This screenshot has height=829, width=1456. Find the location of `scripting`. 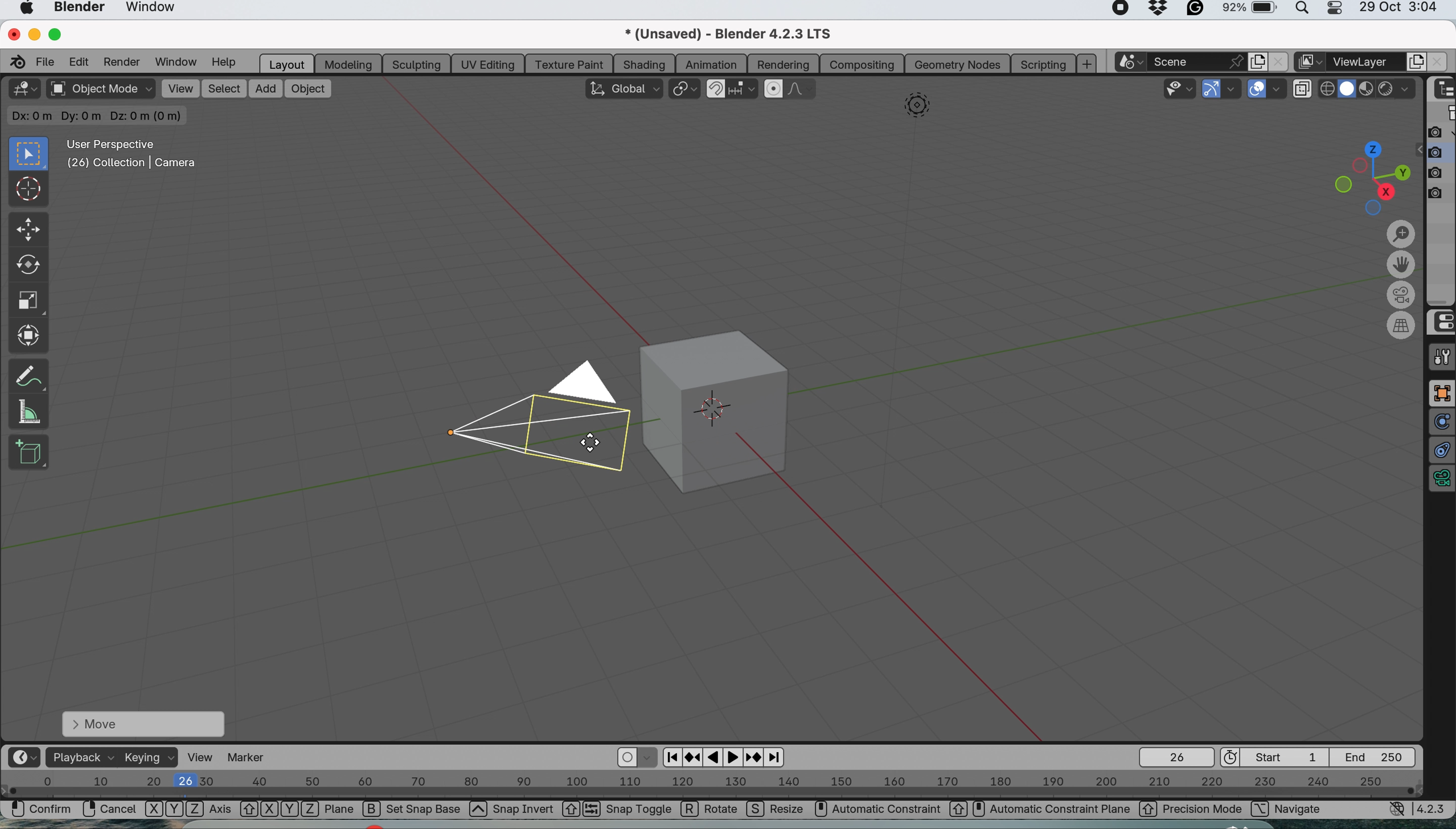

scripting is located at coordinates (1041, 63).